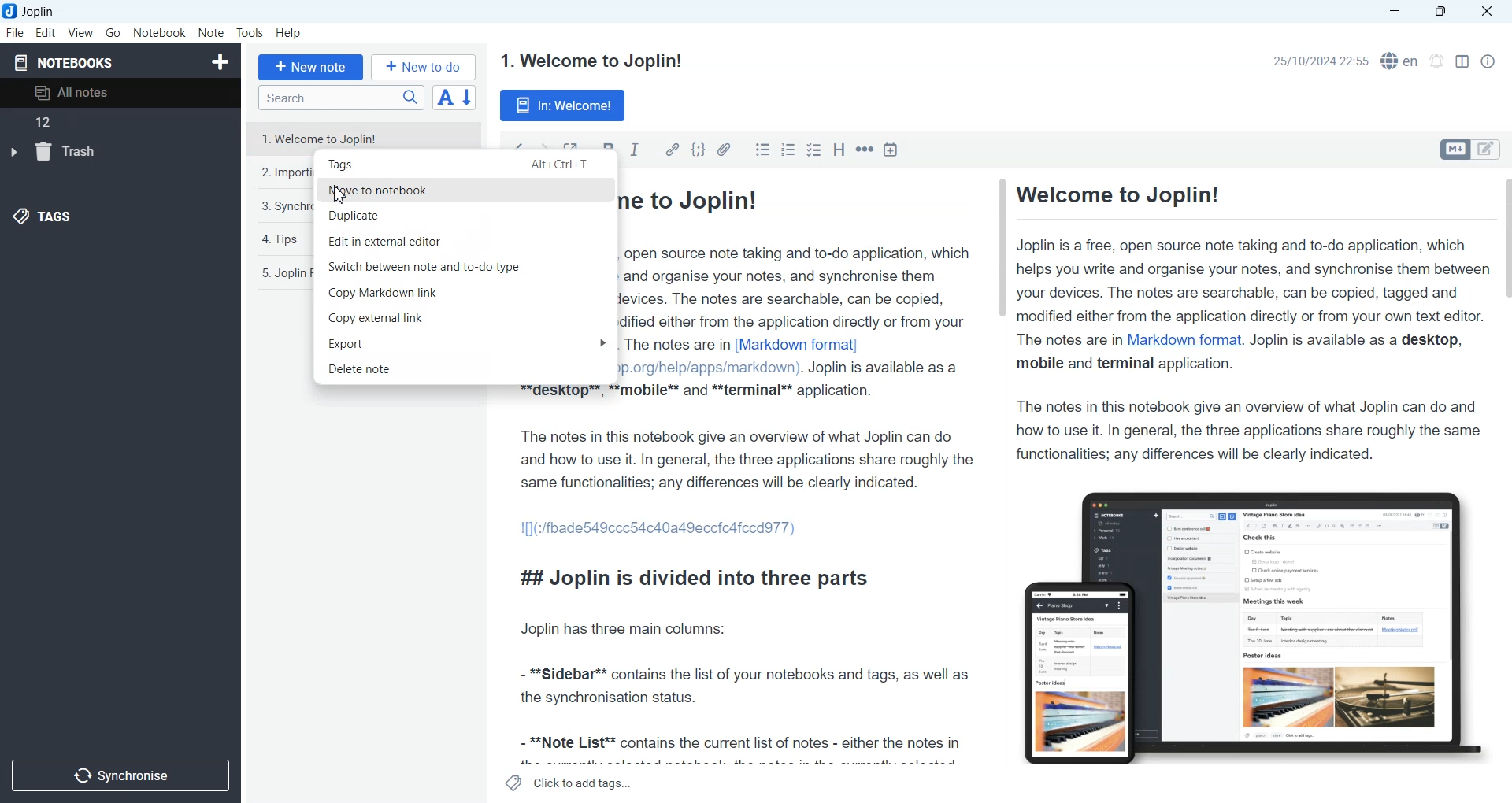 This screenshot has height=803, width=1512. What do you see at coordinates (250, 33) in the screenshot?
I see `Tools` at bounding box center [250, 33].